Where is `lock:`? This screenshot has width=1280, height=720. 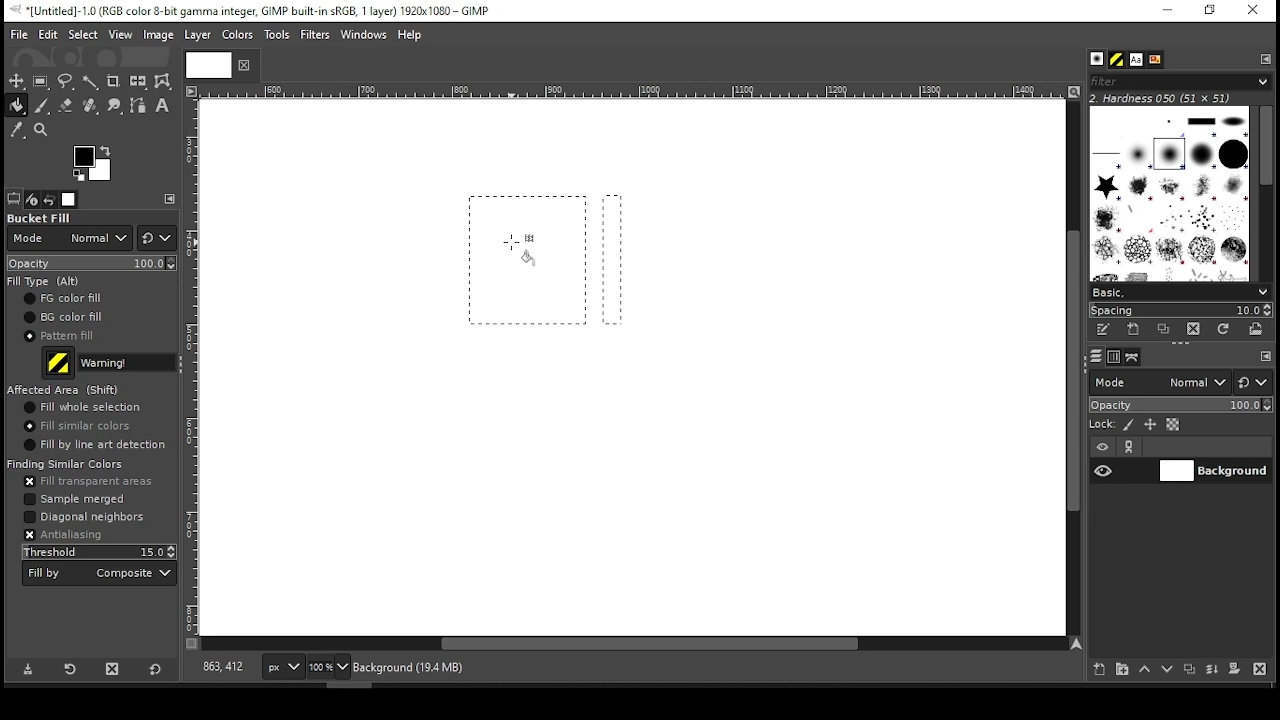 lock: is located at coordinates (1103, 426).